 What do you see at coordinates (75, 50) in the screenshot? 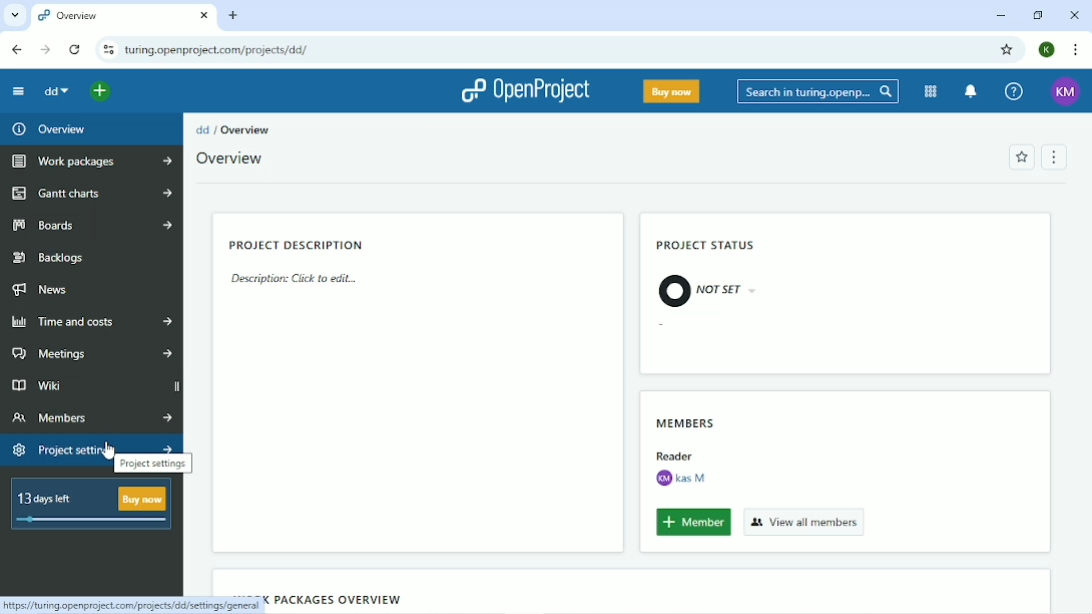
I see `Reload this page` at bounding box center [75, 50].